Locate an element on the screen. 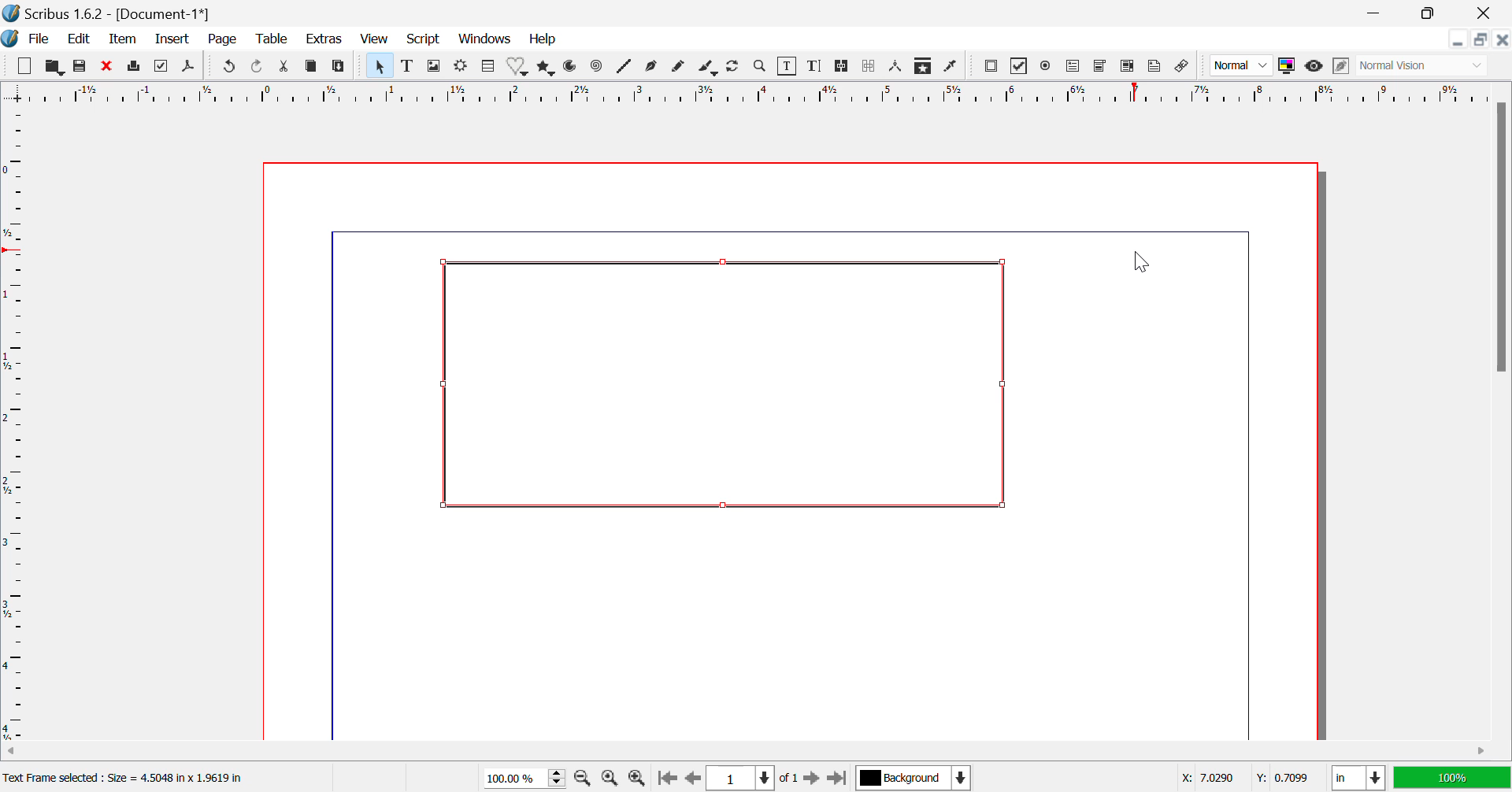 The height and width of the screenshot is (792, 1512). Help is located at coordinates (543, 40).